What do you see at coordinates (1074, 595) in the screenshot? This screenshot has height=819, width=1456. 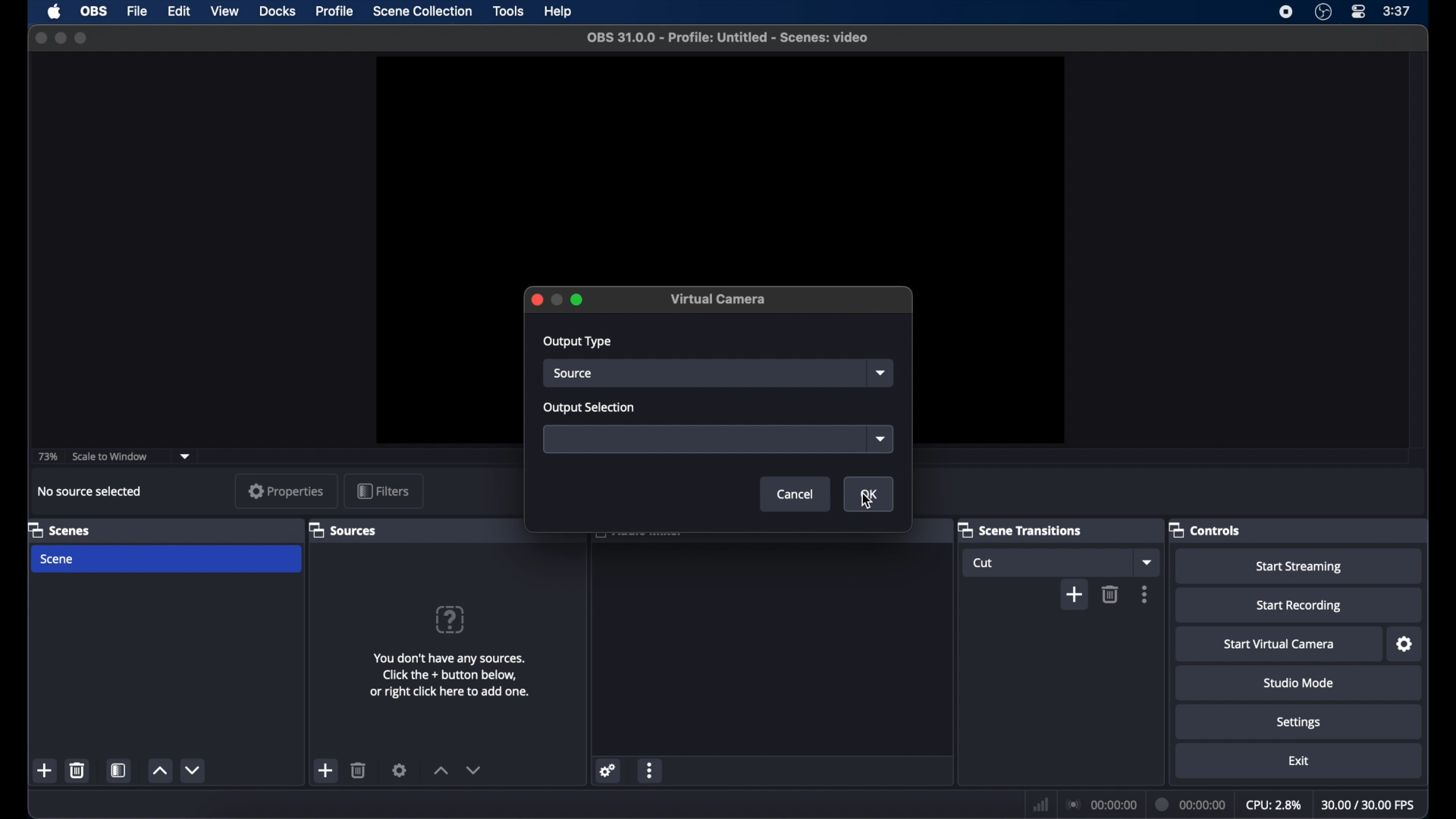 I see `add` at bounding box center [1074, 595].